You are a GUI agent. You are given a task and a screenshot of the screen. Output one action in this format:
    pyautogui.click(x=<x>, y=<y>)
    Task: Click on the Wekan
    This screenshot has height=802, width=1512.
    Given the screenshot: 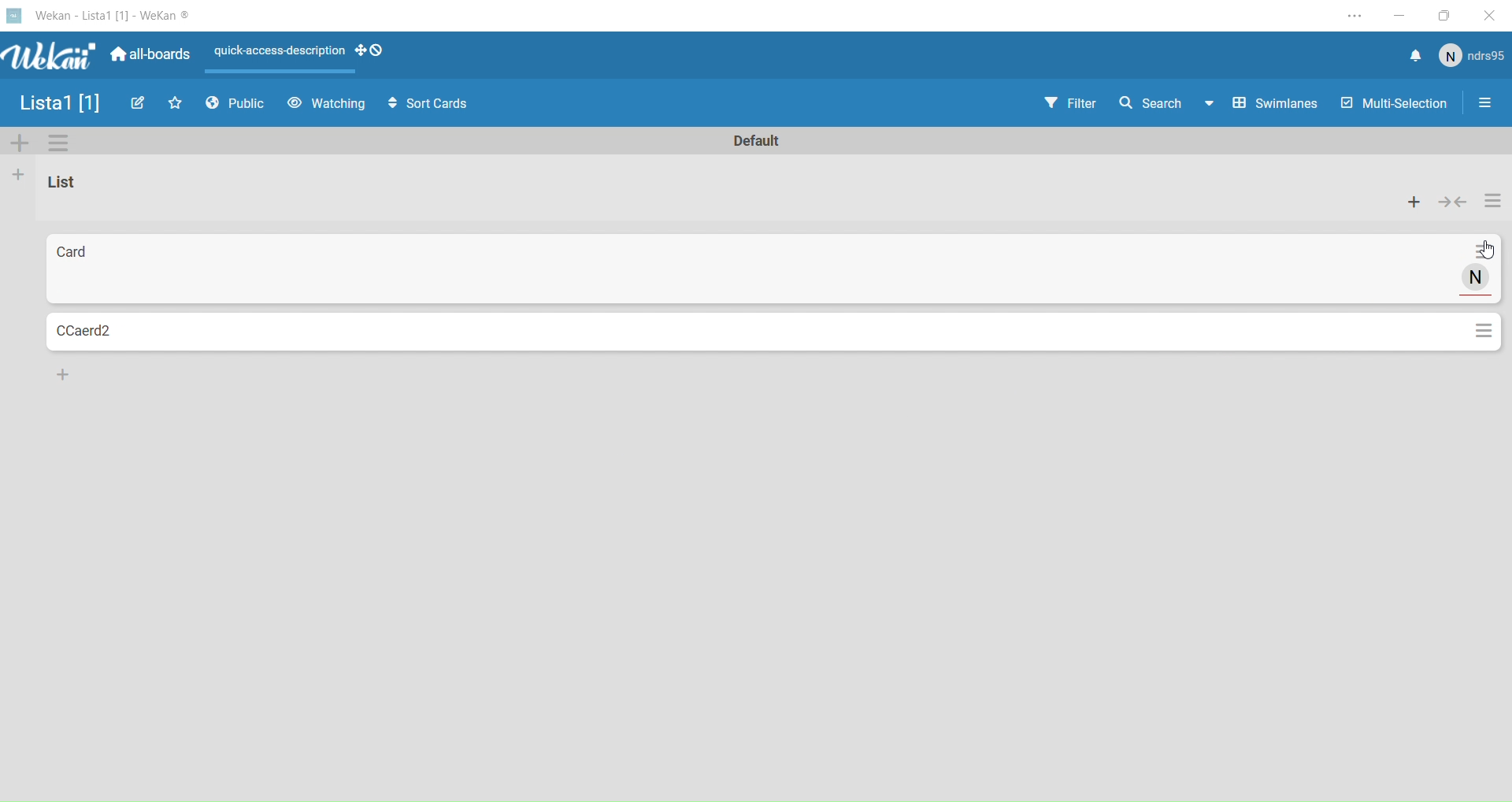 What is the action you would take?
    pyautogui.click(x=51, y=60)
    